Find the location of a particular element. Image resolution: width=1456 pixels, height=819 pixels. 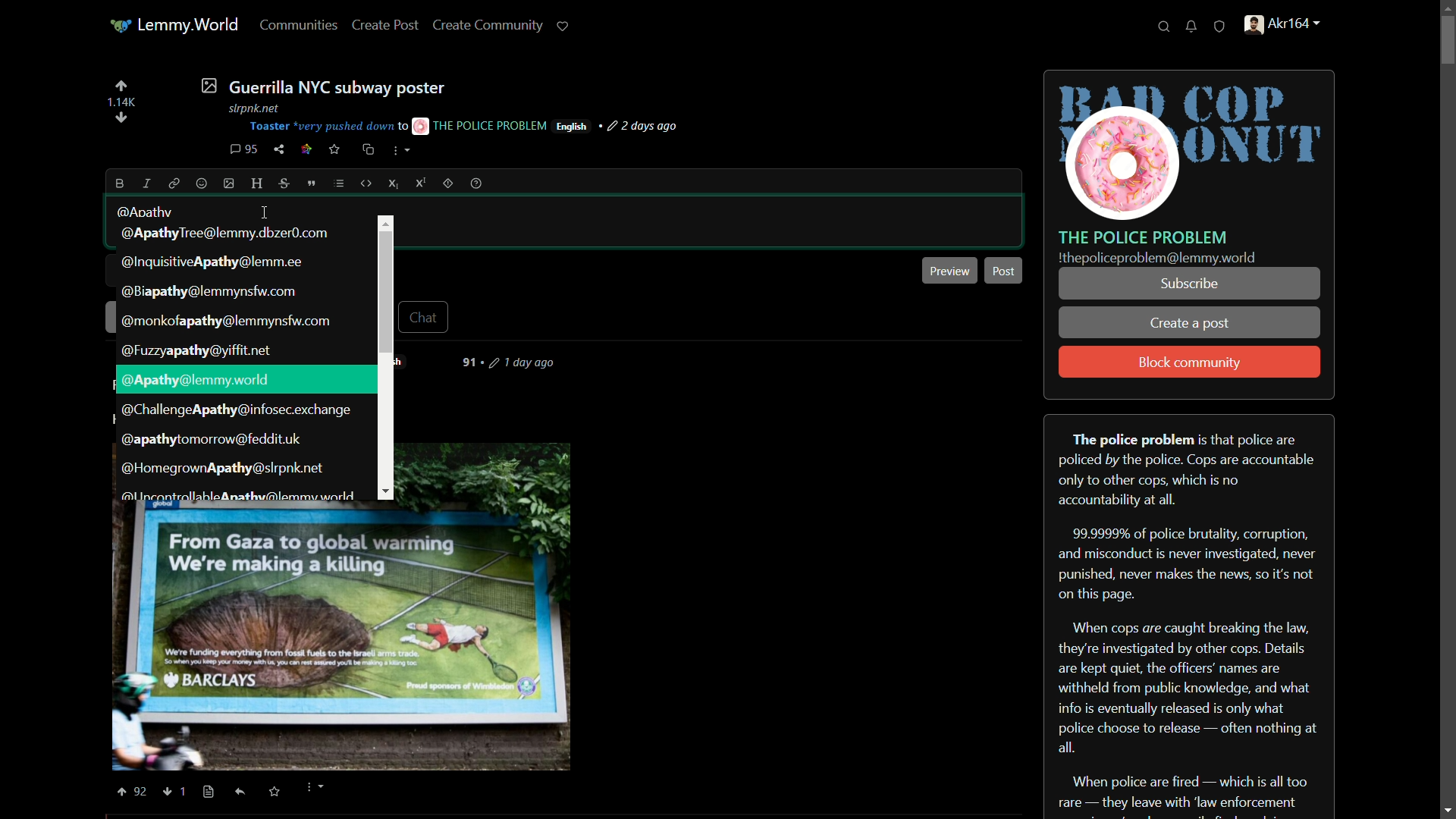

scroll up is located at coordinates (1442, 8).